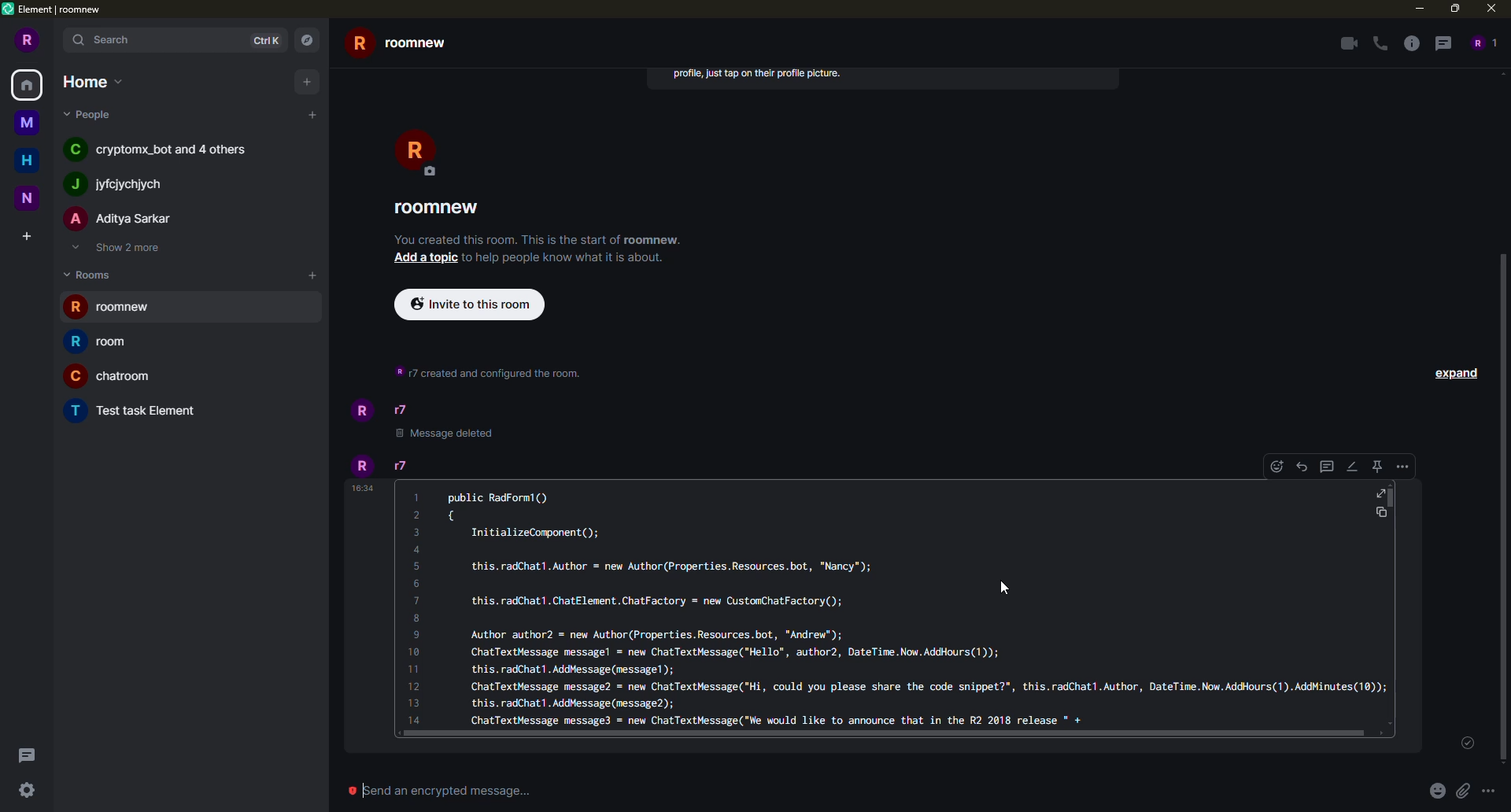  I want to click on create space, so click(28, 234).